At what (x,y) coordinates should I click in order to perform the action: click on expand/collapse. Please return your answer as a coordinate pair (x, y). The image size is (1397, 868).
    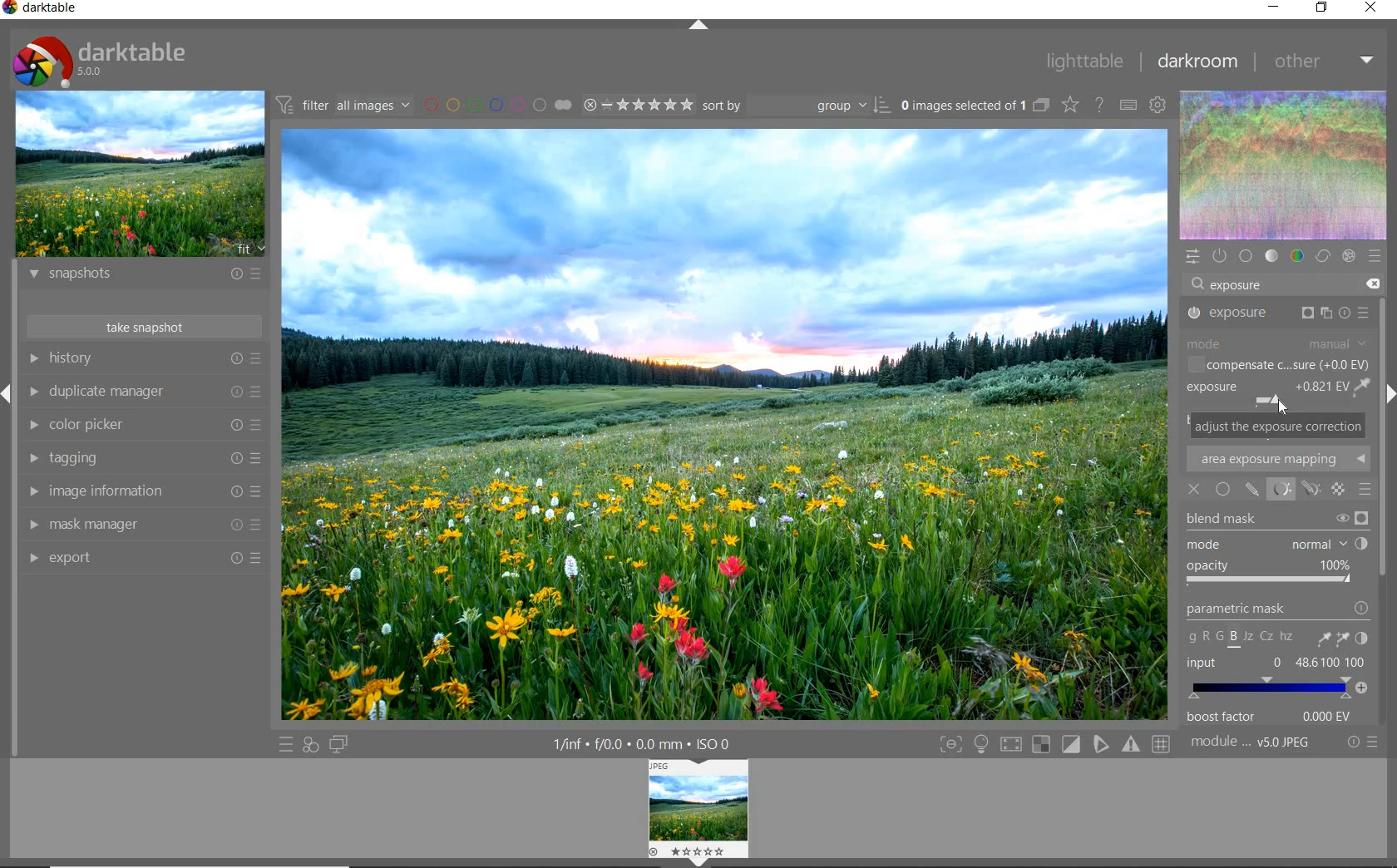
    Looking at the image, I should click on (702, 28).